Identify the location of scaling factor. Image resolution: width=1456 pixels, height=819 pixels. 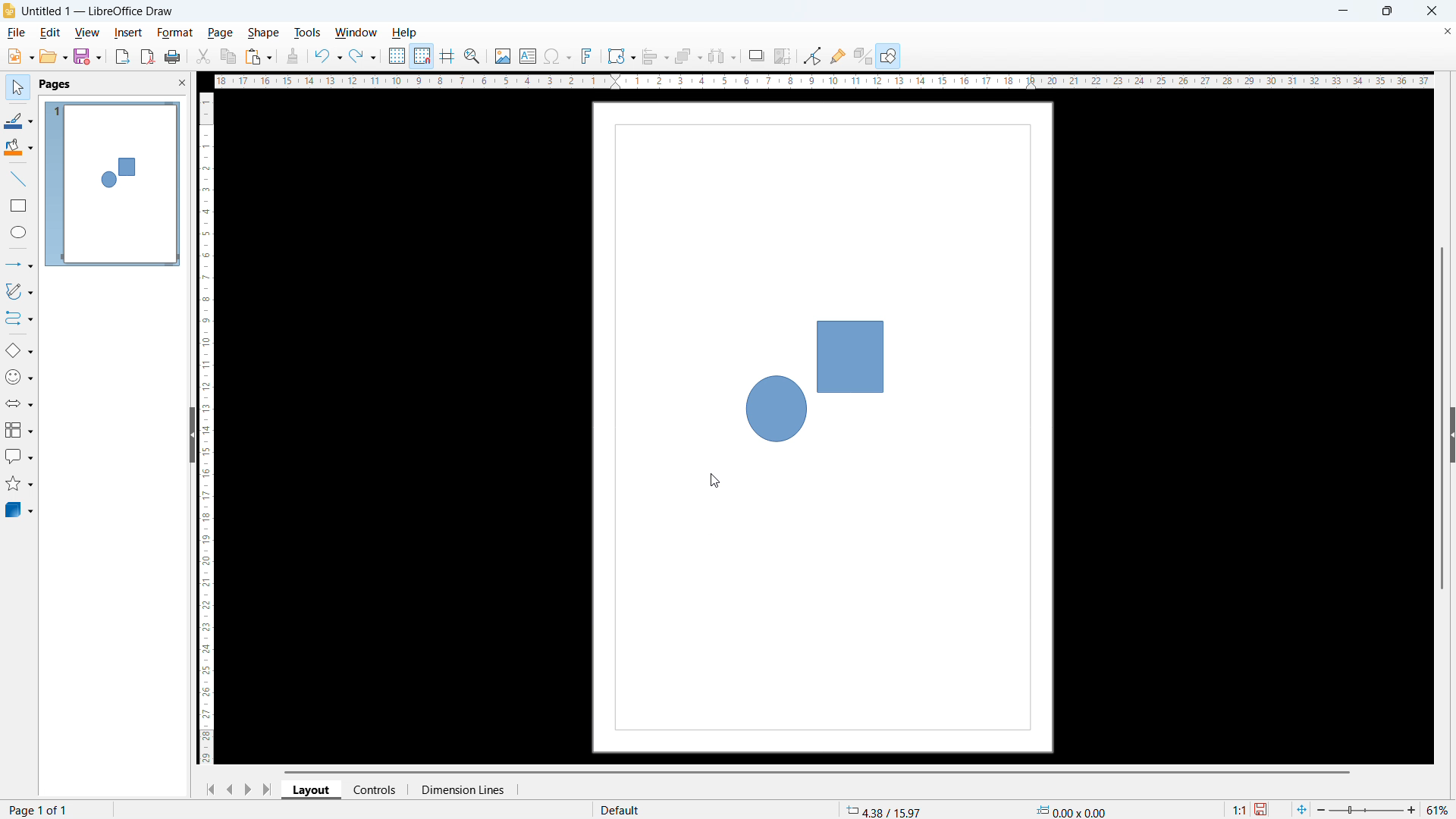
(1241, 809).